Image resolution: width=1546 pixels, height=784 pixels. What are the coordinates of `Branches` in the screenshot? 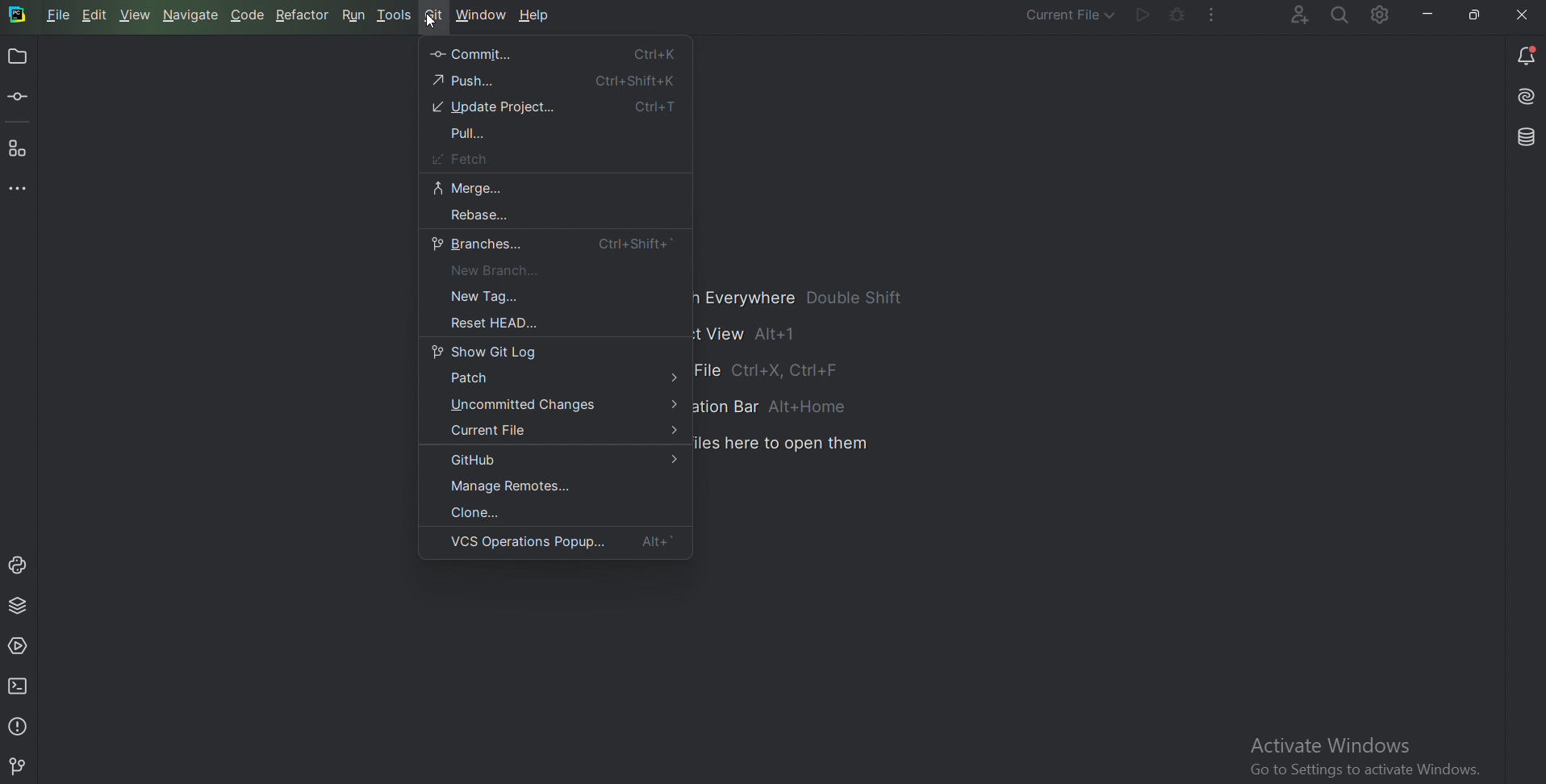 It's located at (554, 244).